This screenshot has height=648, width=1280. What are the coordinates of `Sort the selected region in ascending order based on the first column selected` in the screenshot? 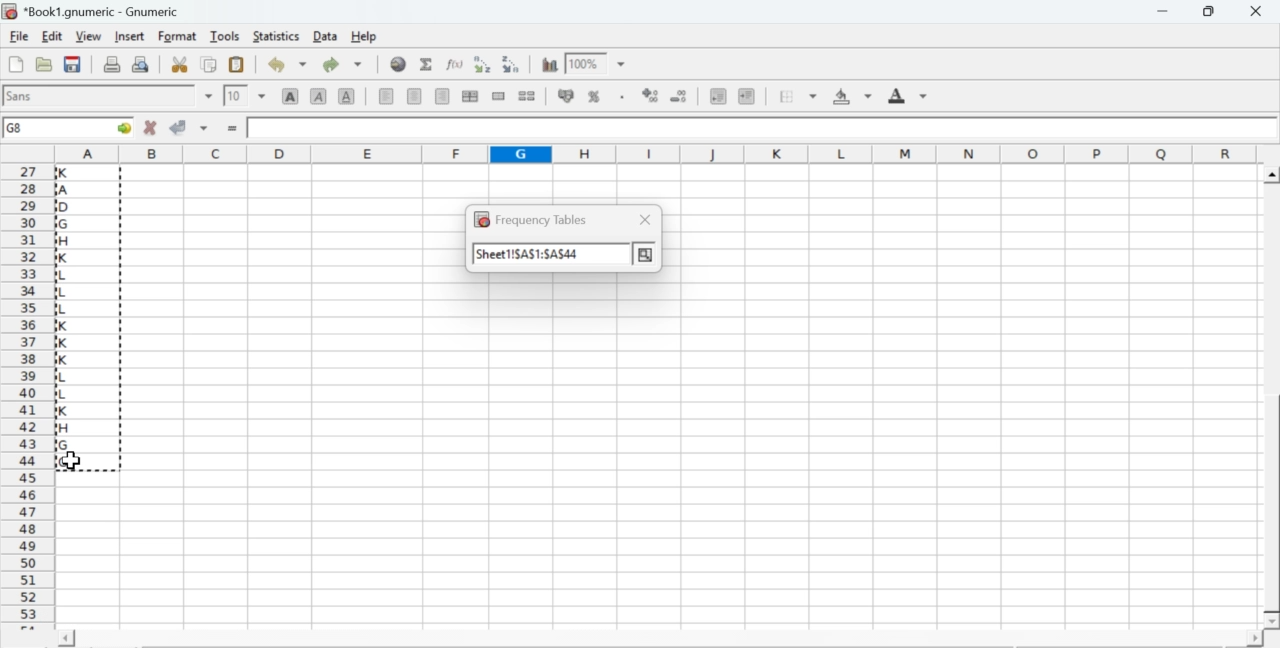 It's located at (485, 64).